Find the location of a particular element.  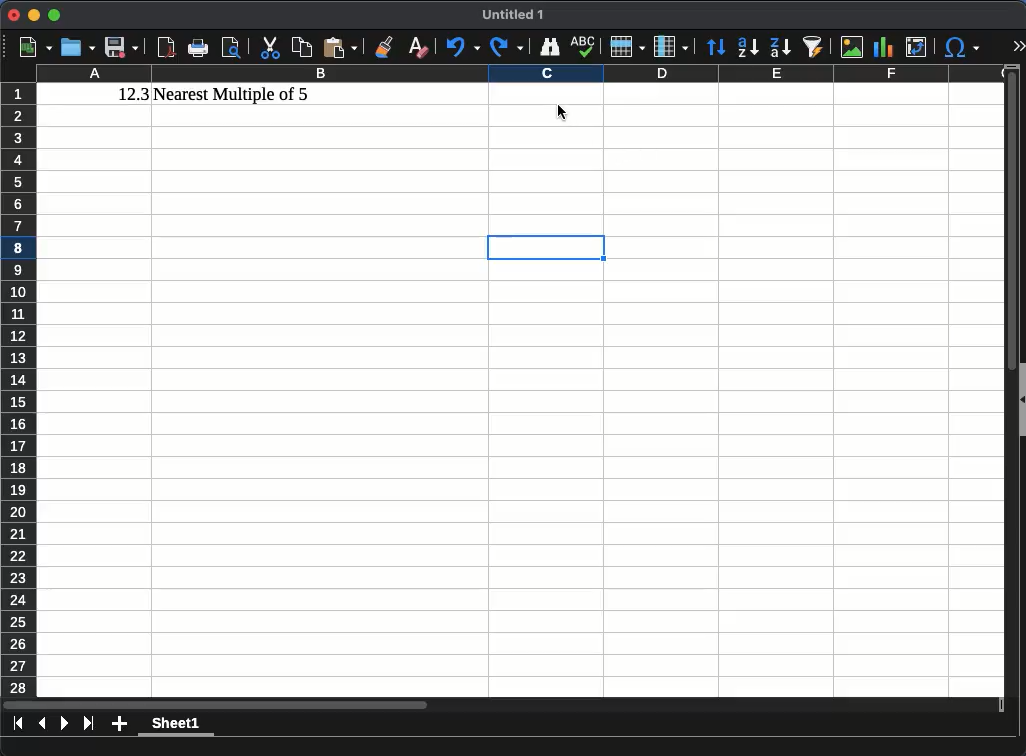

paste is located at coordinates (340, 47).